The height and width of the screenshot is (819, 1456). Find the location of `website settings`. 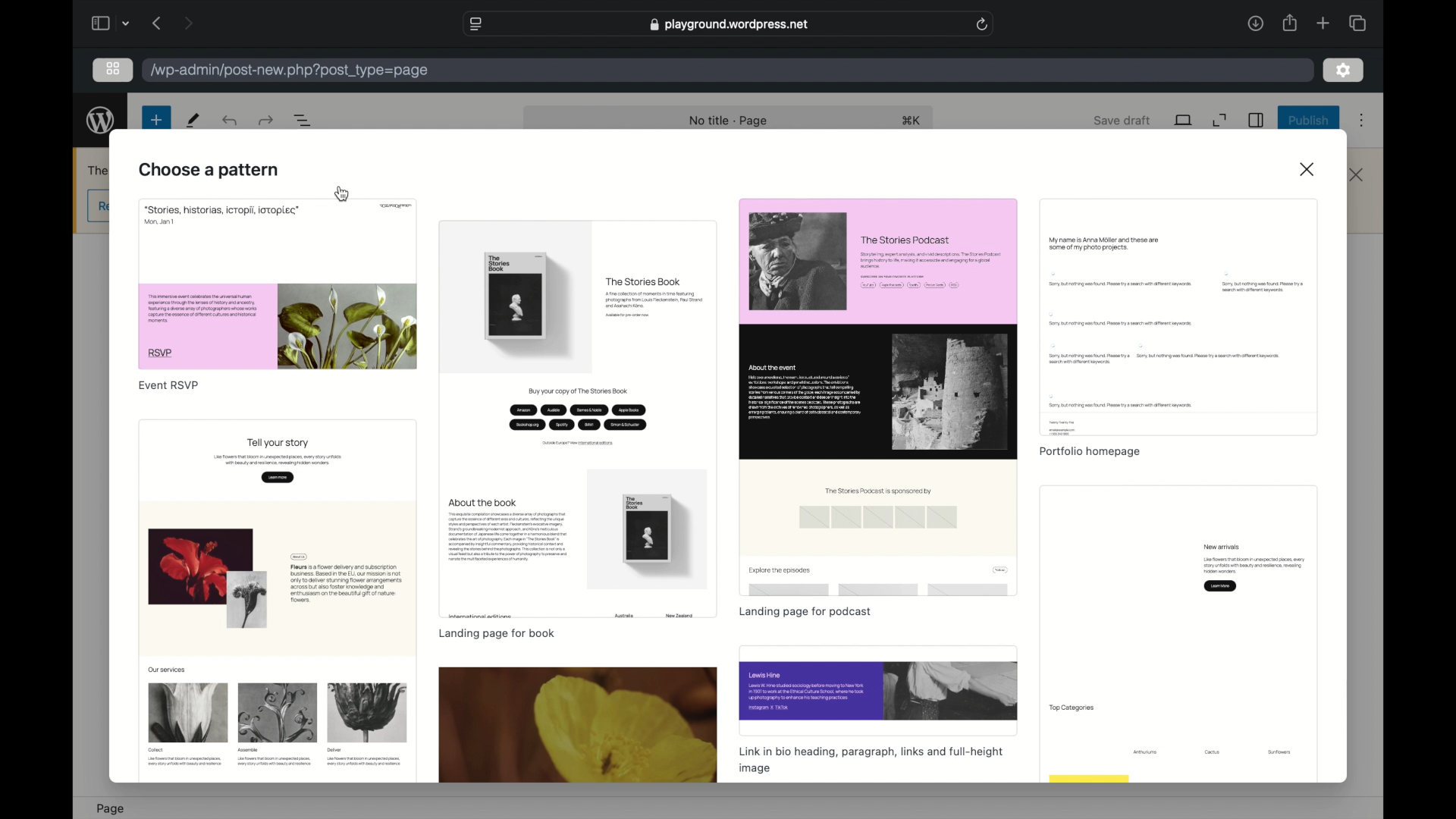

website settings is located at coordinates (475, 24).